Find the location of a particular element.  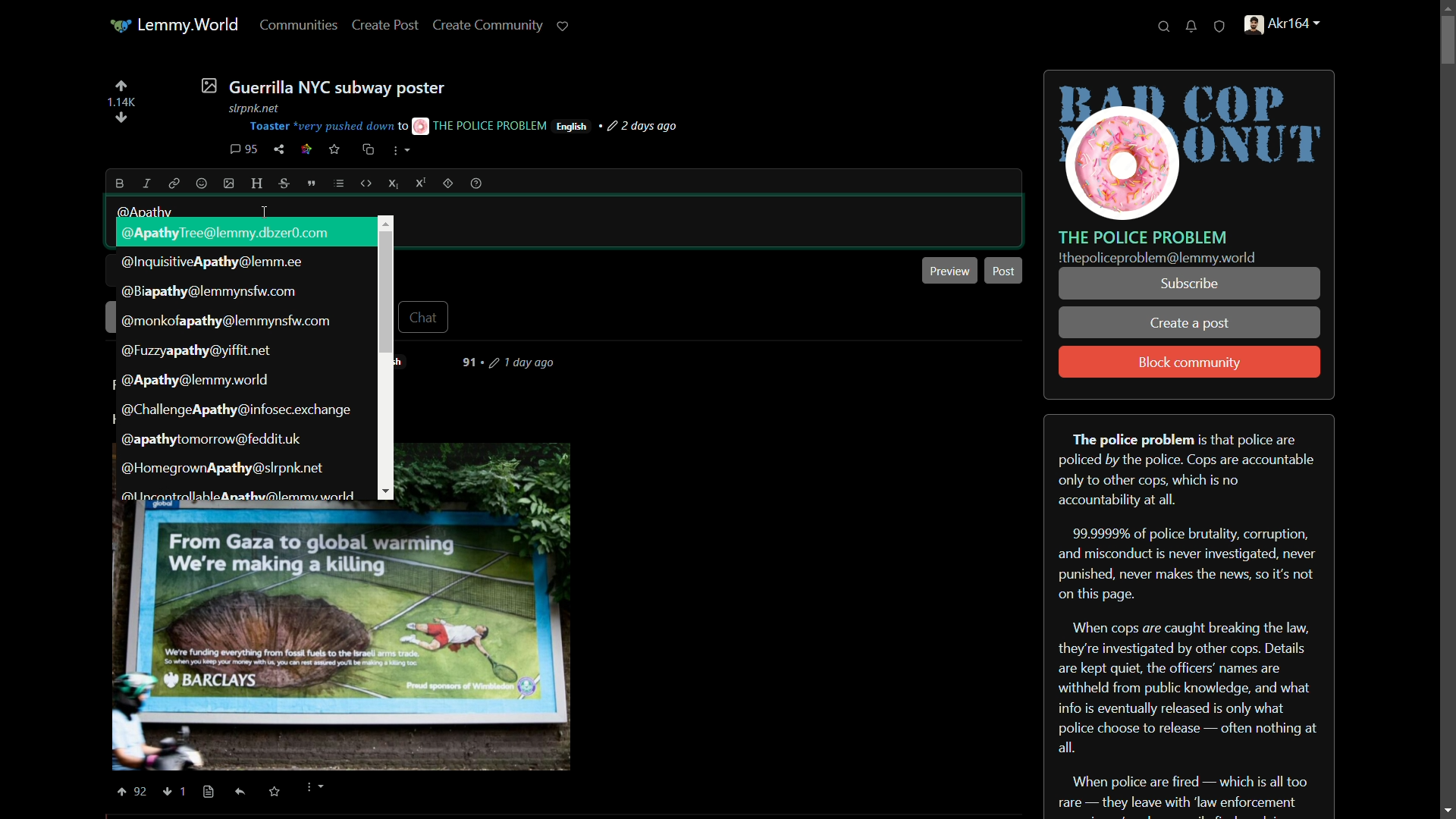

more options is located at coordinates (401, 152).